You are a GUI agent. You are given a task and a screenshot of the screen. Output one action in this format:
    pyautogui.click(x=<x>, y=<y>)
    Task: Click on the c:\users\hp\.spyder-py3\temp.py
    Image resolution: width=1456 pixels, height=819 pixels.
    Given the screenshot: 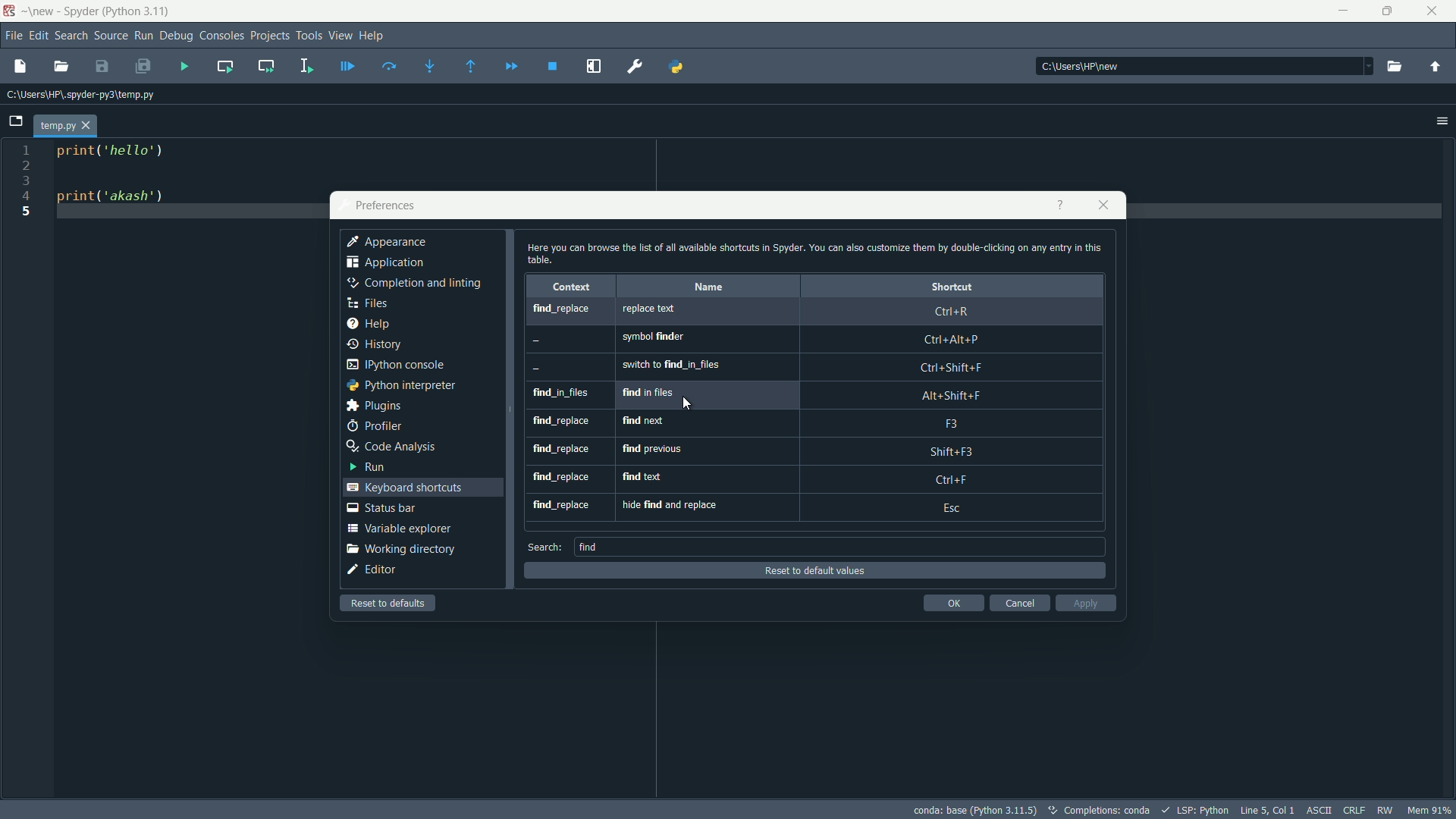 What is the action you would take?
    pyautogui.click(x=86, y=96)
    